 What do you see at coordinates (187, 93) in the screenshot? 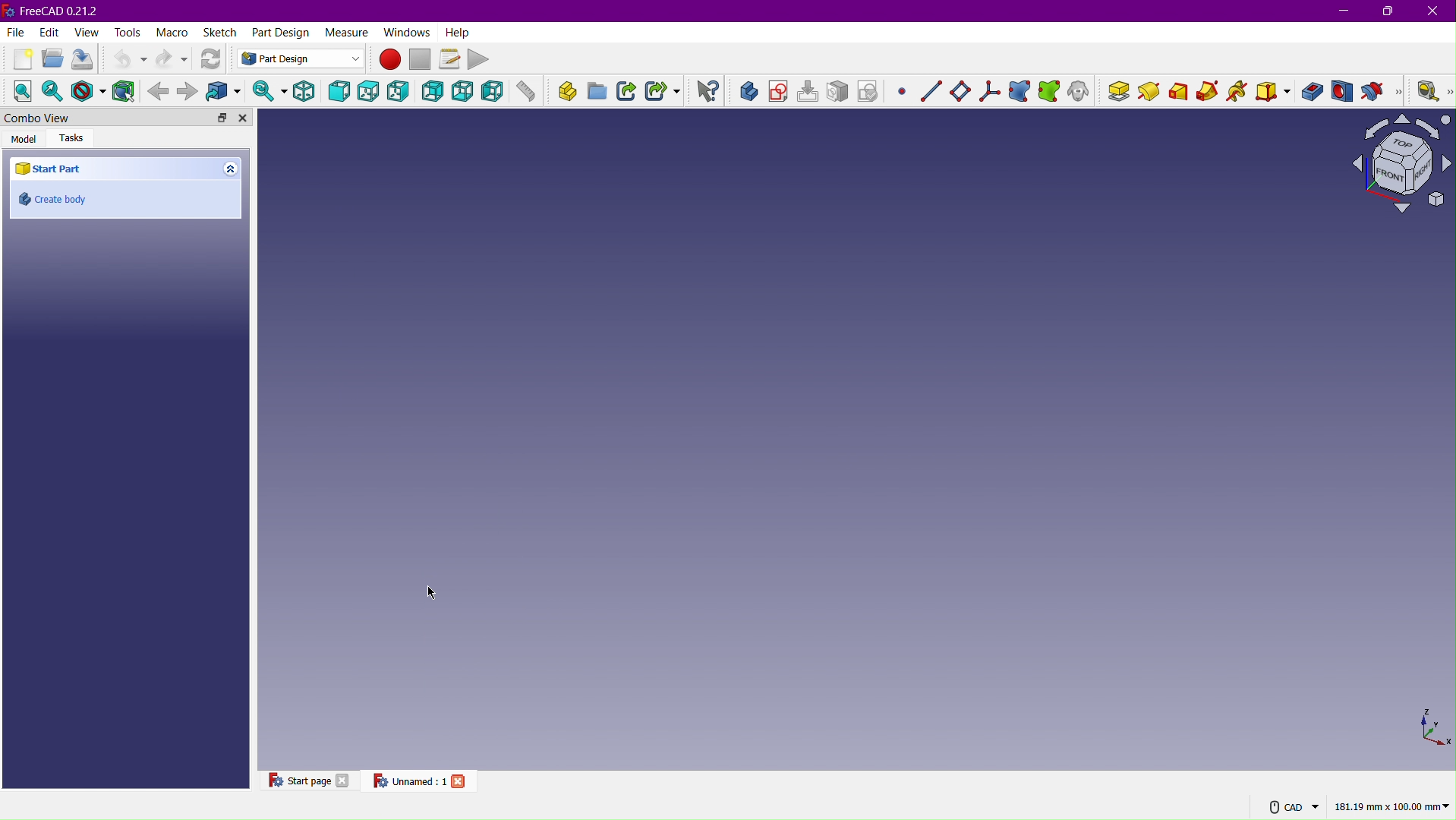
I see `Forward` at bounding box center [187, 93].